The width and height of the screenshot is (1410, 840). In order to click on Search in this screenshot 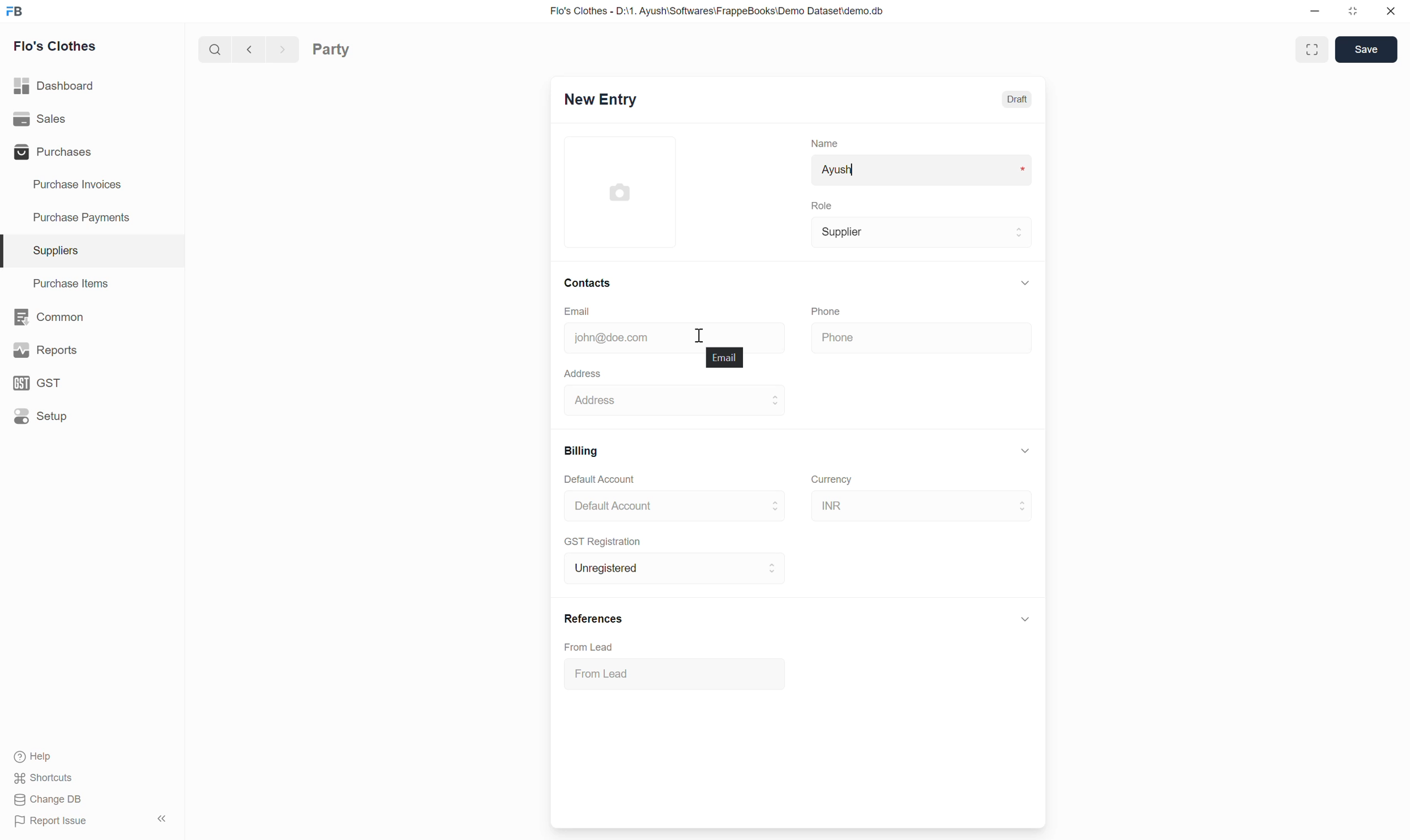, I will do `click(215, 49)`.